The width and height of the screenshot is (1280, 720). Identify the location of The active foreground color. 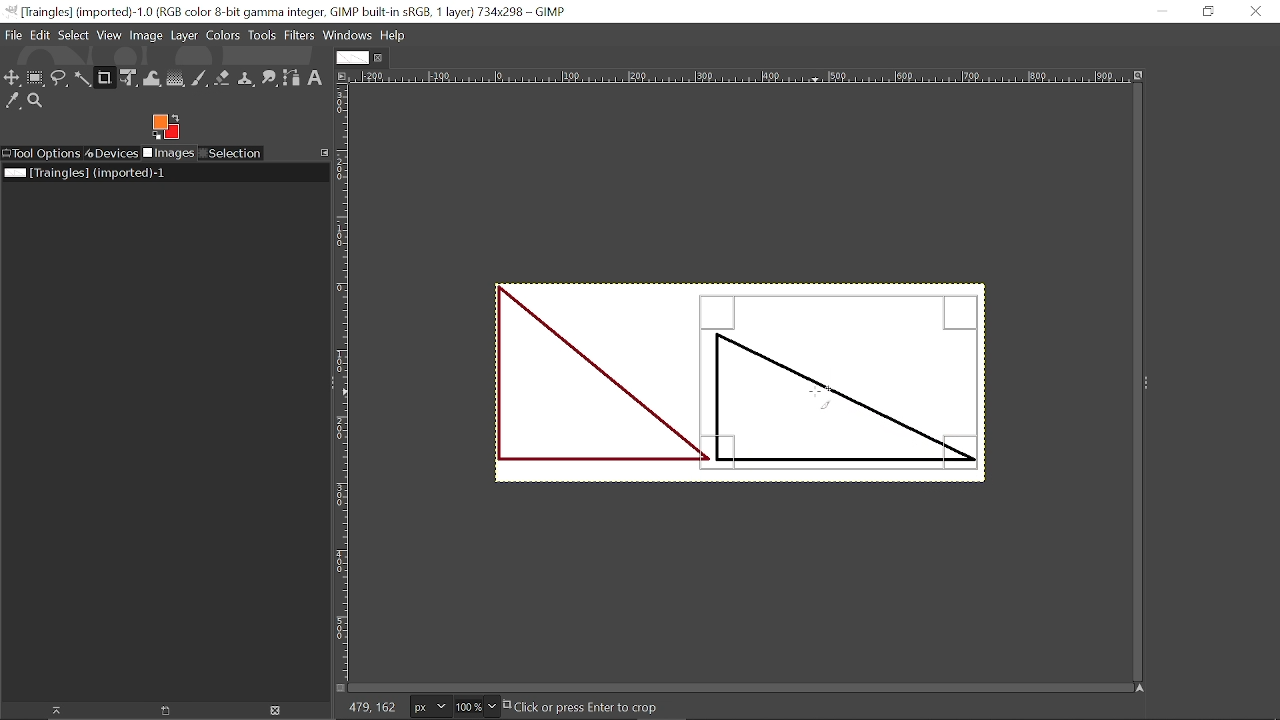
(166, 126).